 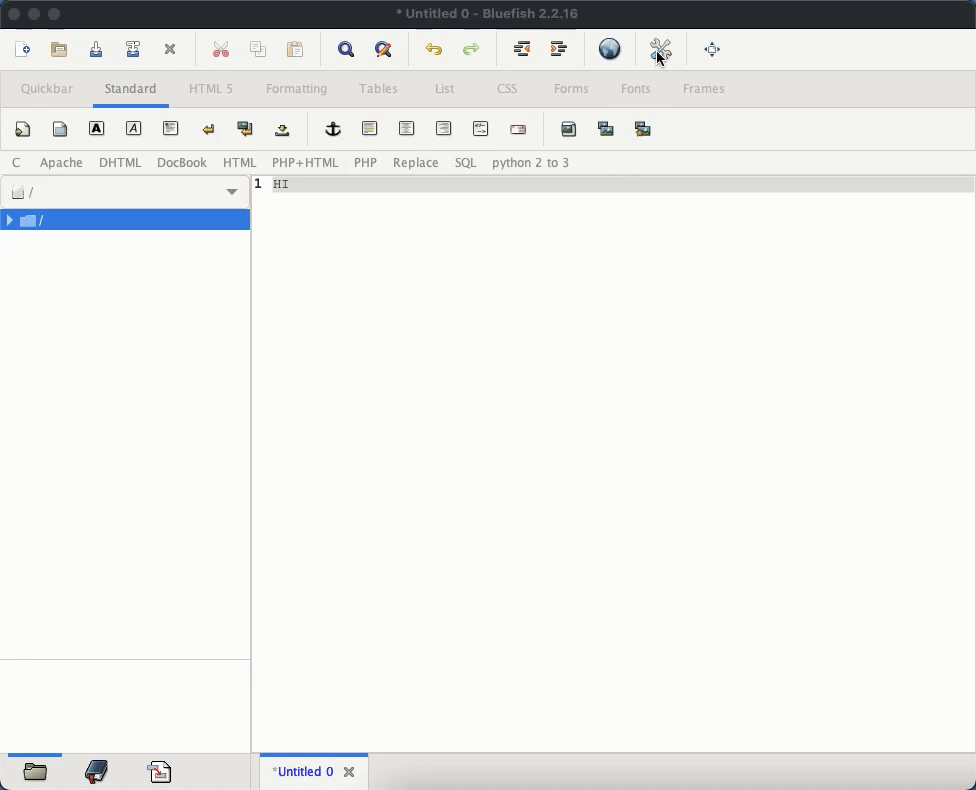 What do you see at coordinates (645, 129) in the screenshot?
I see `multi thumbnail` at bounding box center [645, 129].